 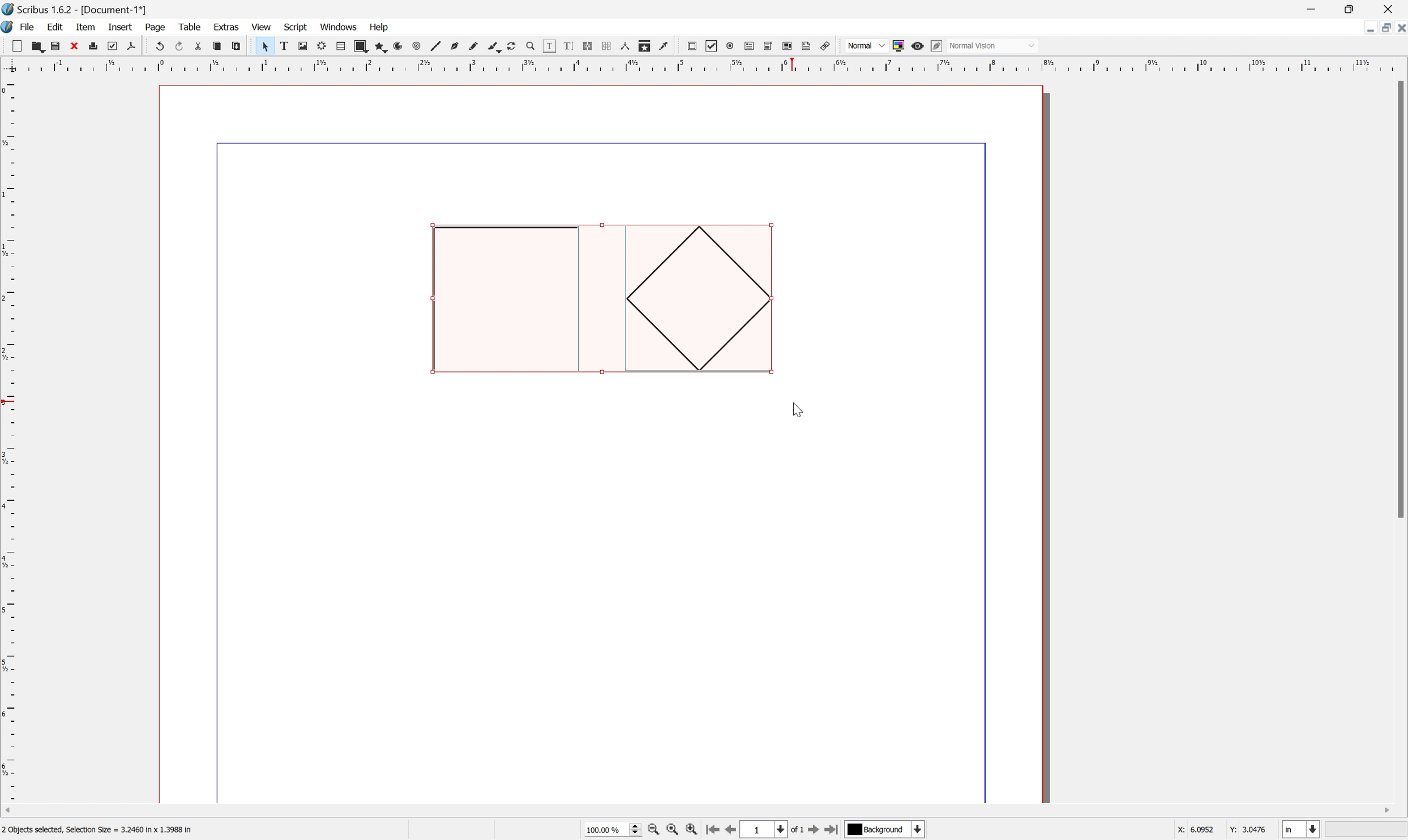 I want to click on Rectangle, so click(x=505, y=301).